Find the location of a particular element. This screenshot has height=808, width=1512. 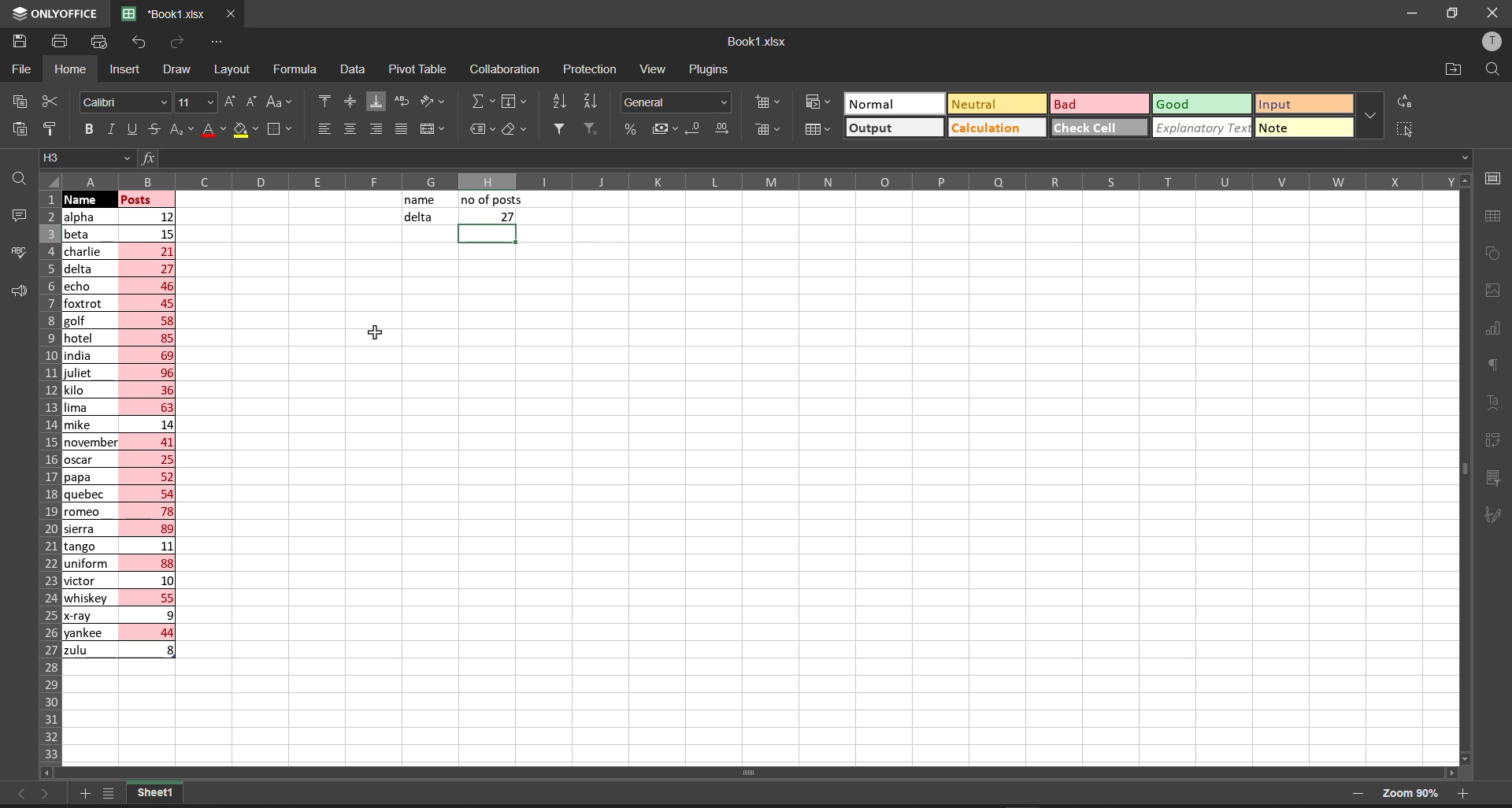

sort ascending is located at coordinates (561, 102).